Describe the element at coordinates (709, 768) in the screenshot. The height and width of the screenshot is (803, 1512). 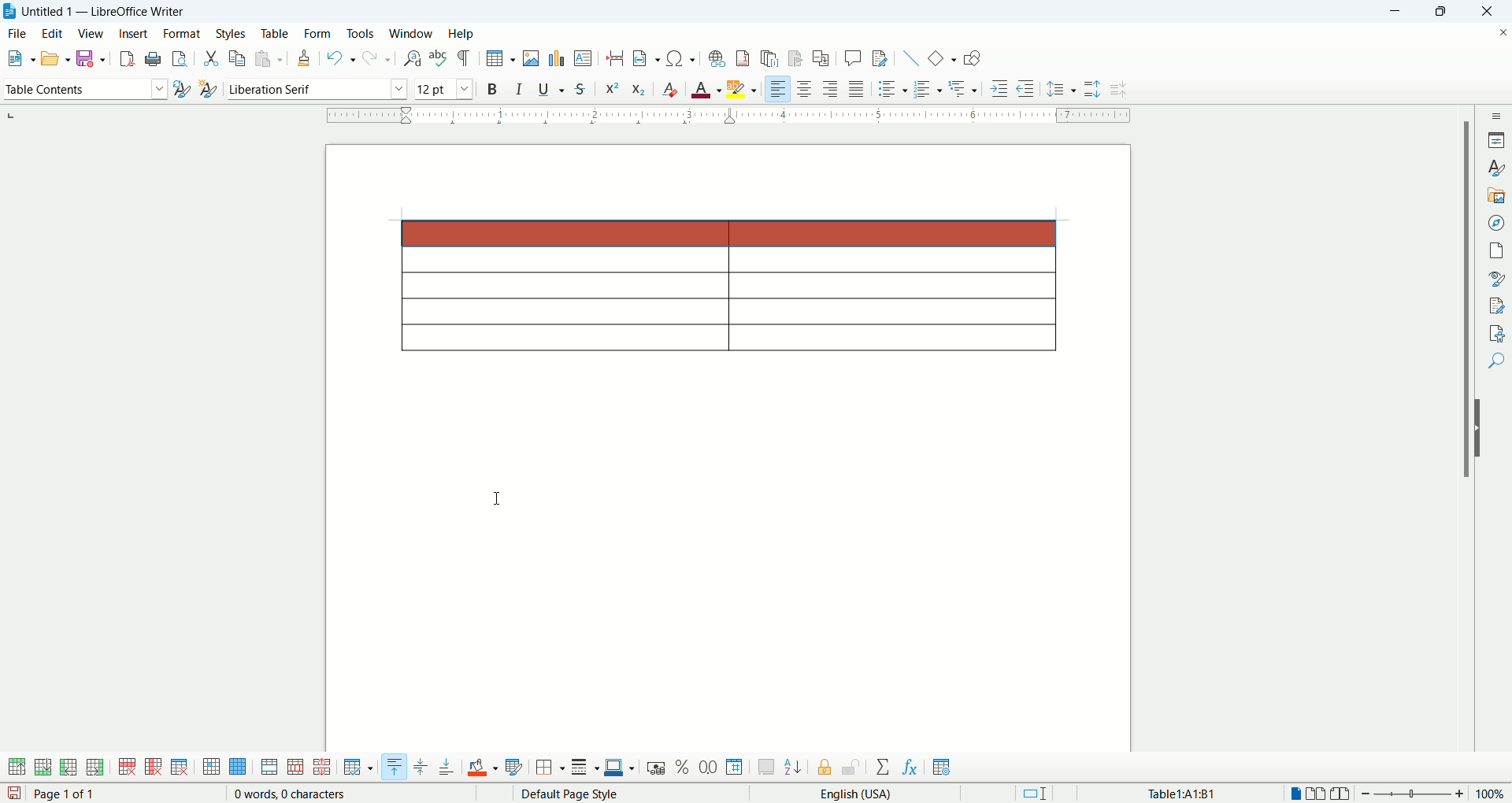
I see `decimal format` at that location.